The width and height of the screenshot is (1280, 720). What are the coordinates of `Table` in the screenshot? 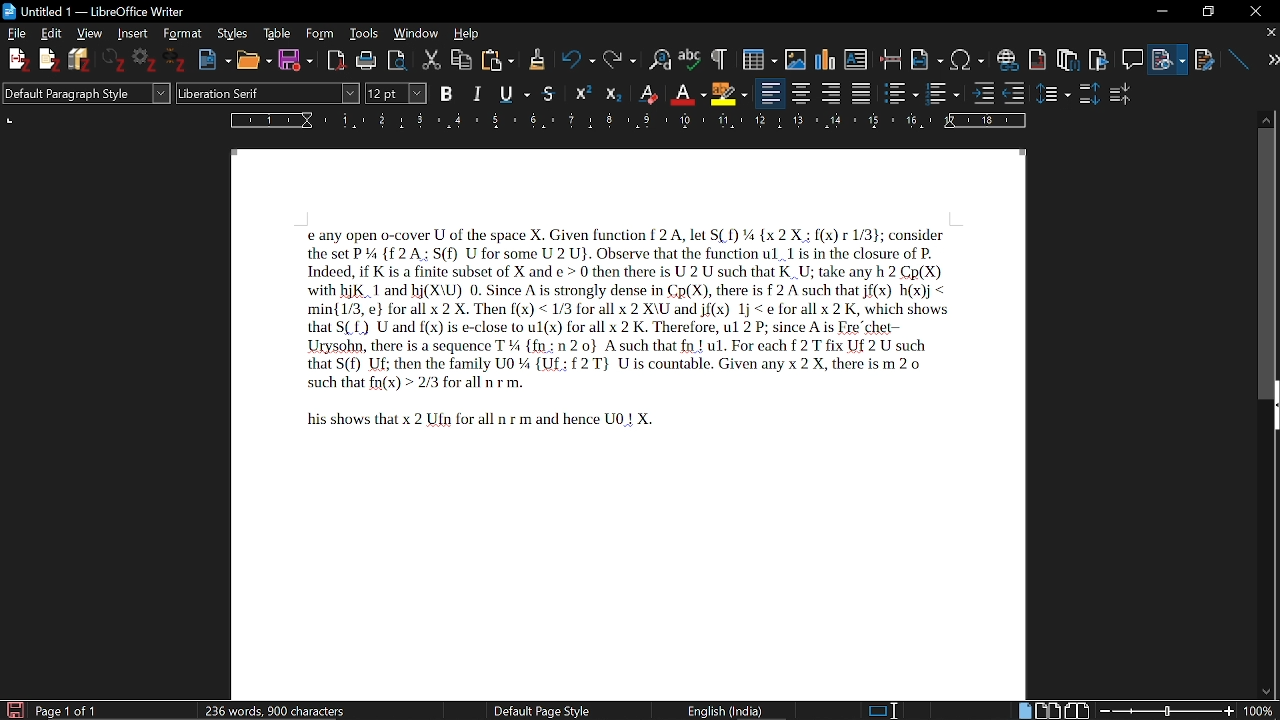 It's located at (277, 33).